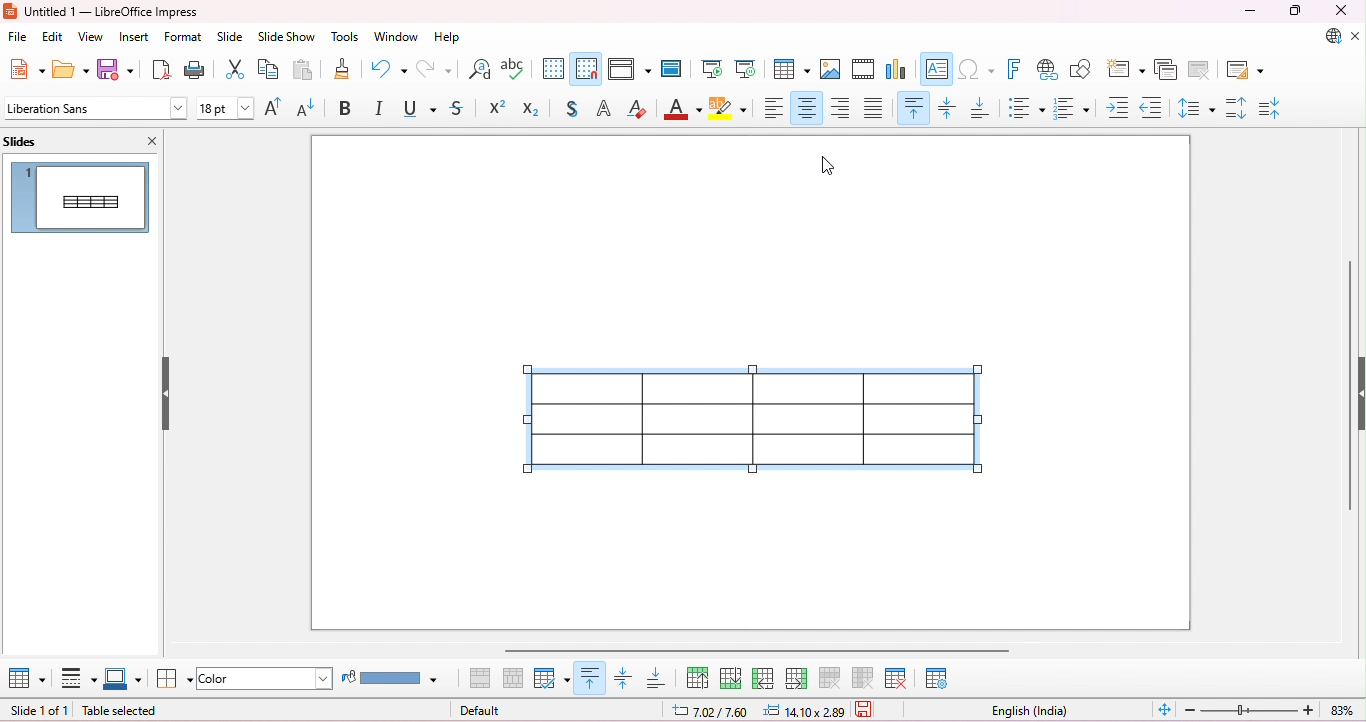 This screenshot has height=722, width=1366. What do you see at coordinates (395, 677) in the screenshot?
I see `fill color` at bounding box center [395, 677].